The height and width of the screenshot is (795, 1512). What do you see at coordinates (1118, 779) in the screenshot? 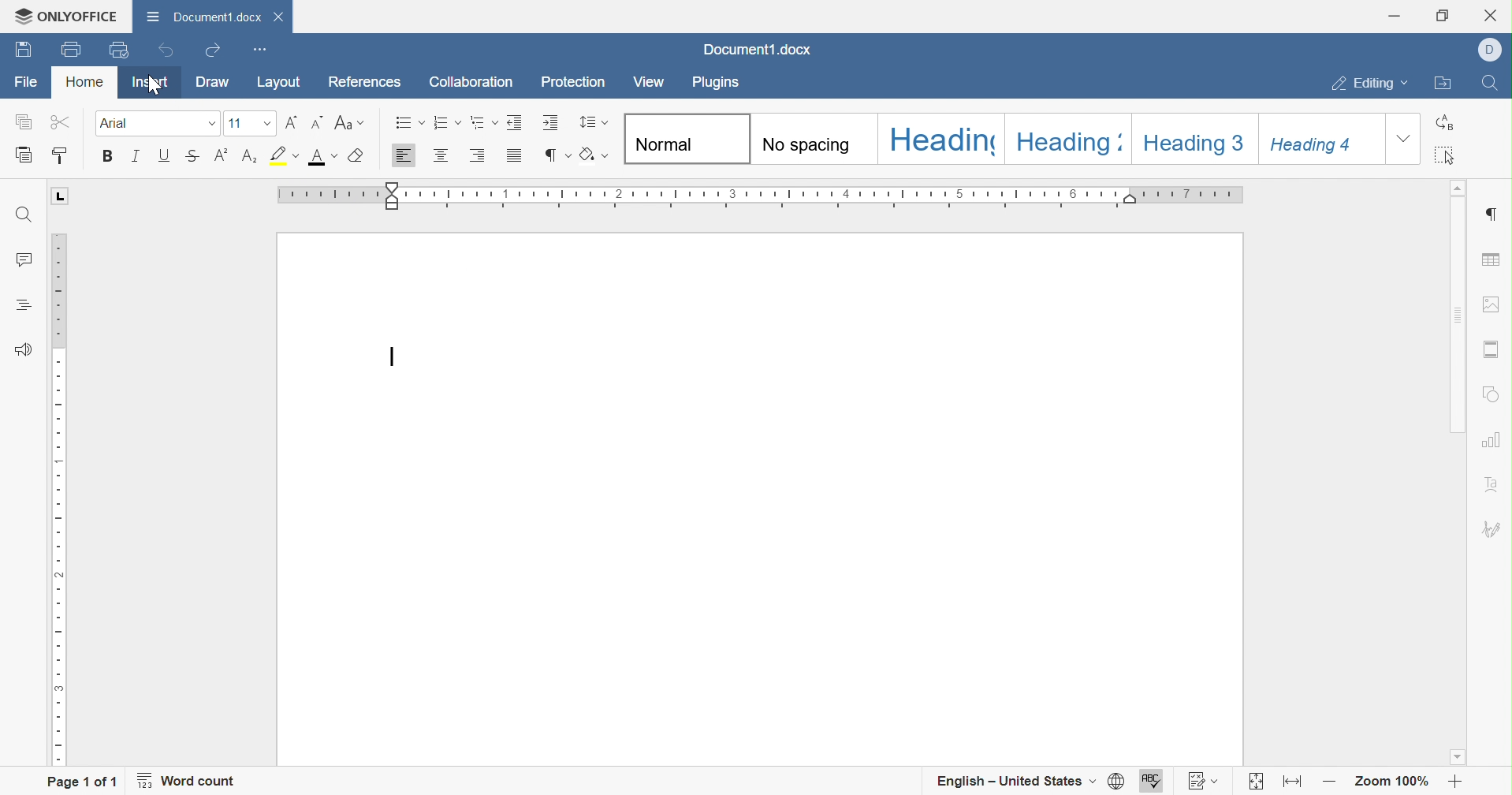
I see `Set document language` at bounding box center [1118, 779].